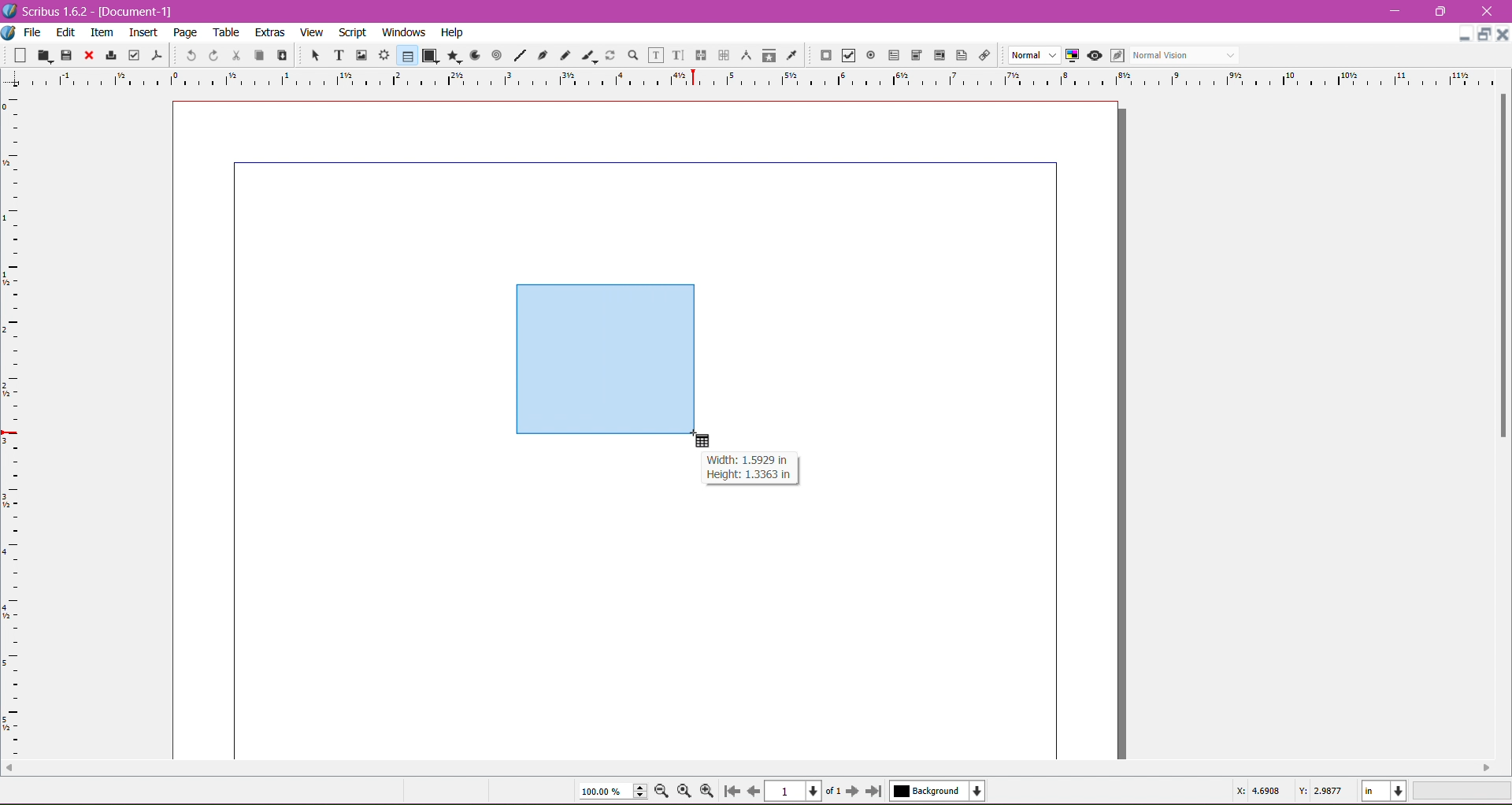 This screenshot has width=1512, height=805. Describe the element at coordinates (937, 56) in the screenshot. I see `Pdf List Box` at that location.